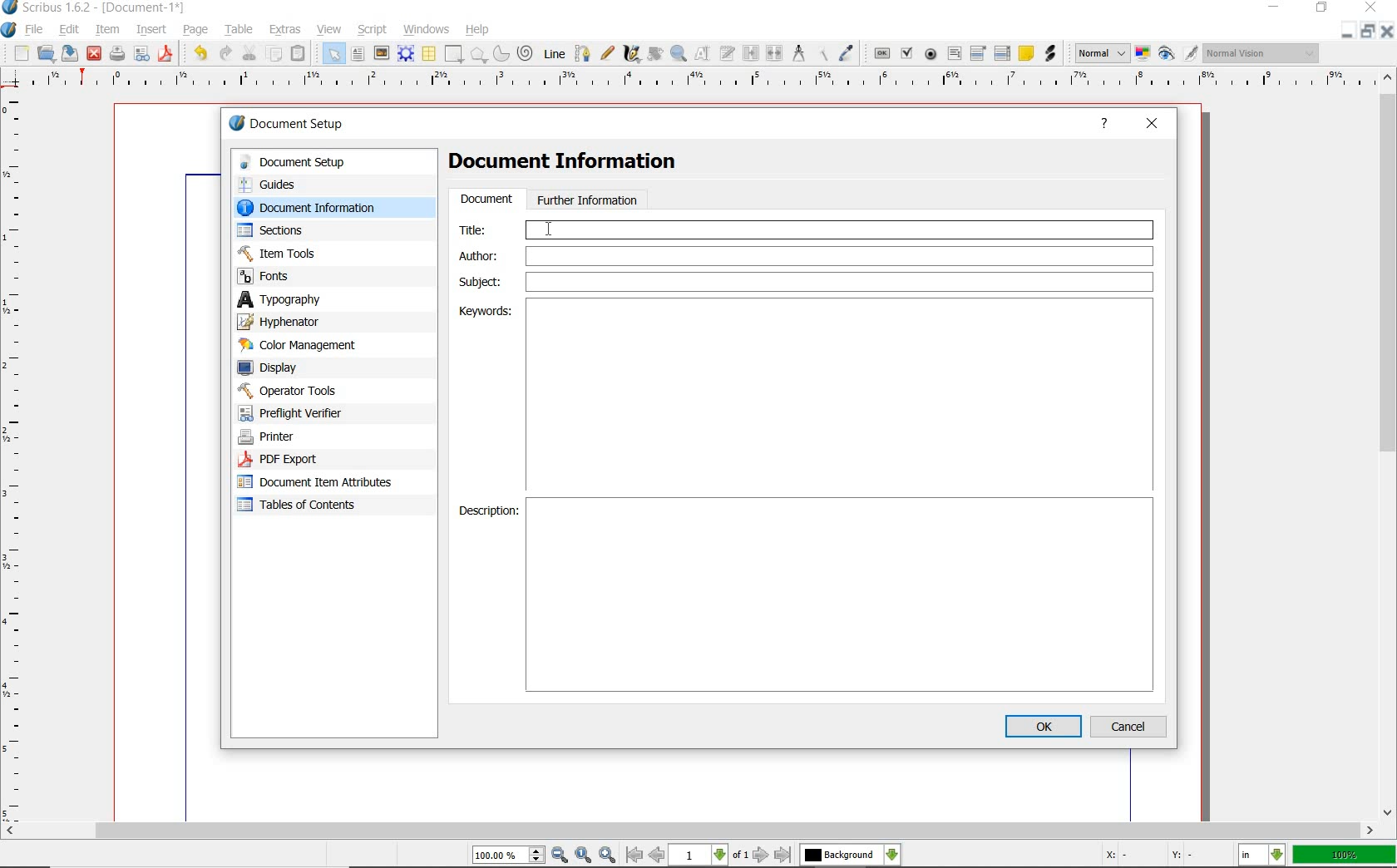  What do you see at coordinates (979, 54) in the screenshot?
I see `pdf combo box` at bounding box center [979, 54].